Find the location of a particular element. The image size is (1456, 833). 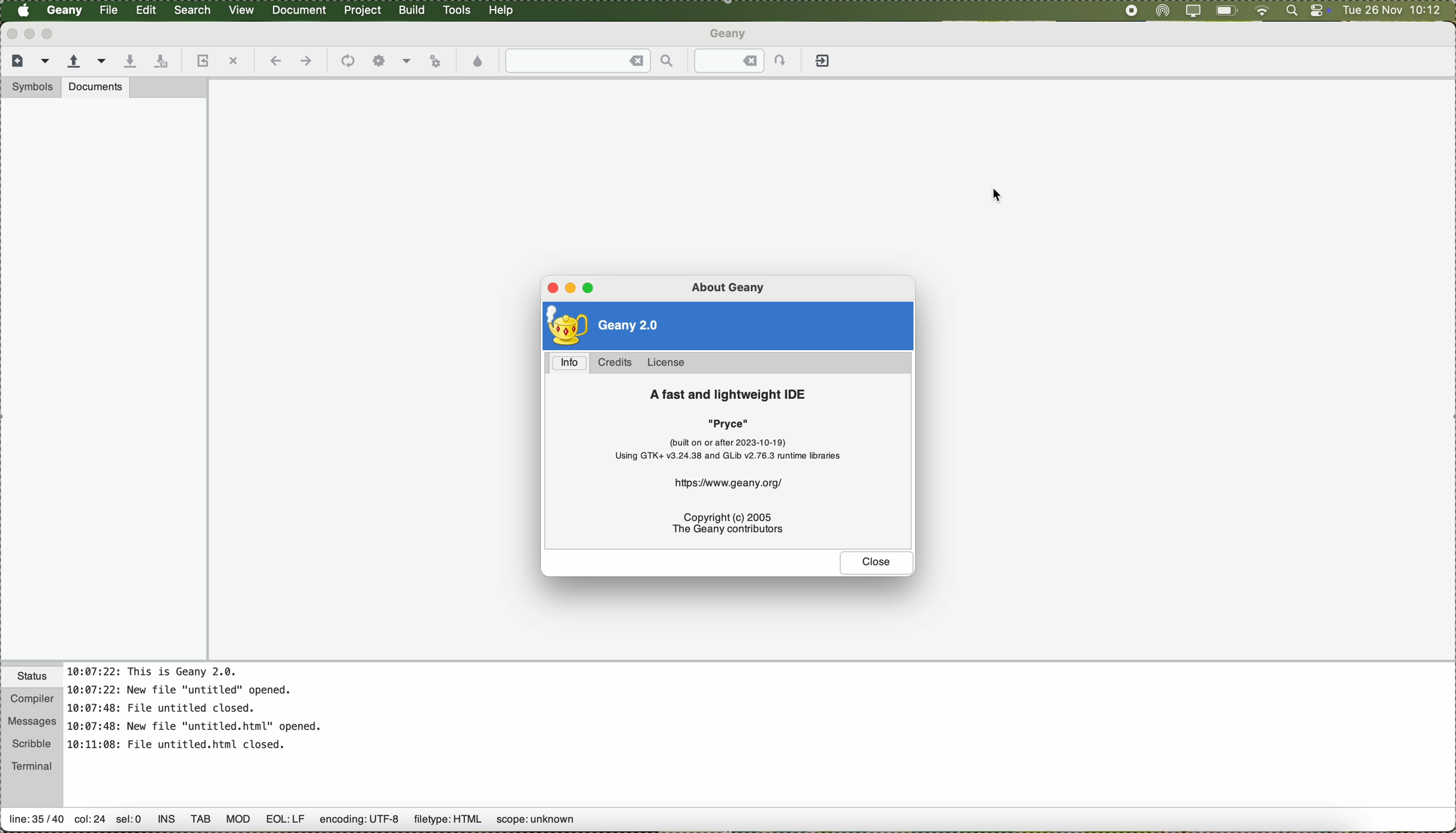

scribble is located at coordinates (32, 741).